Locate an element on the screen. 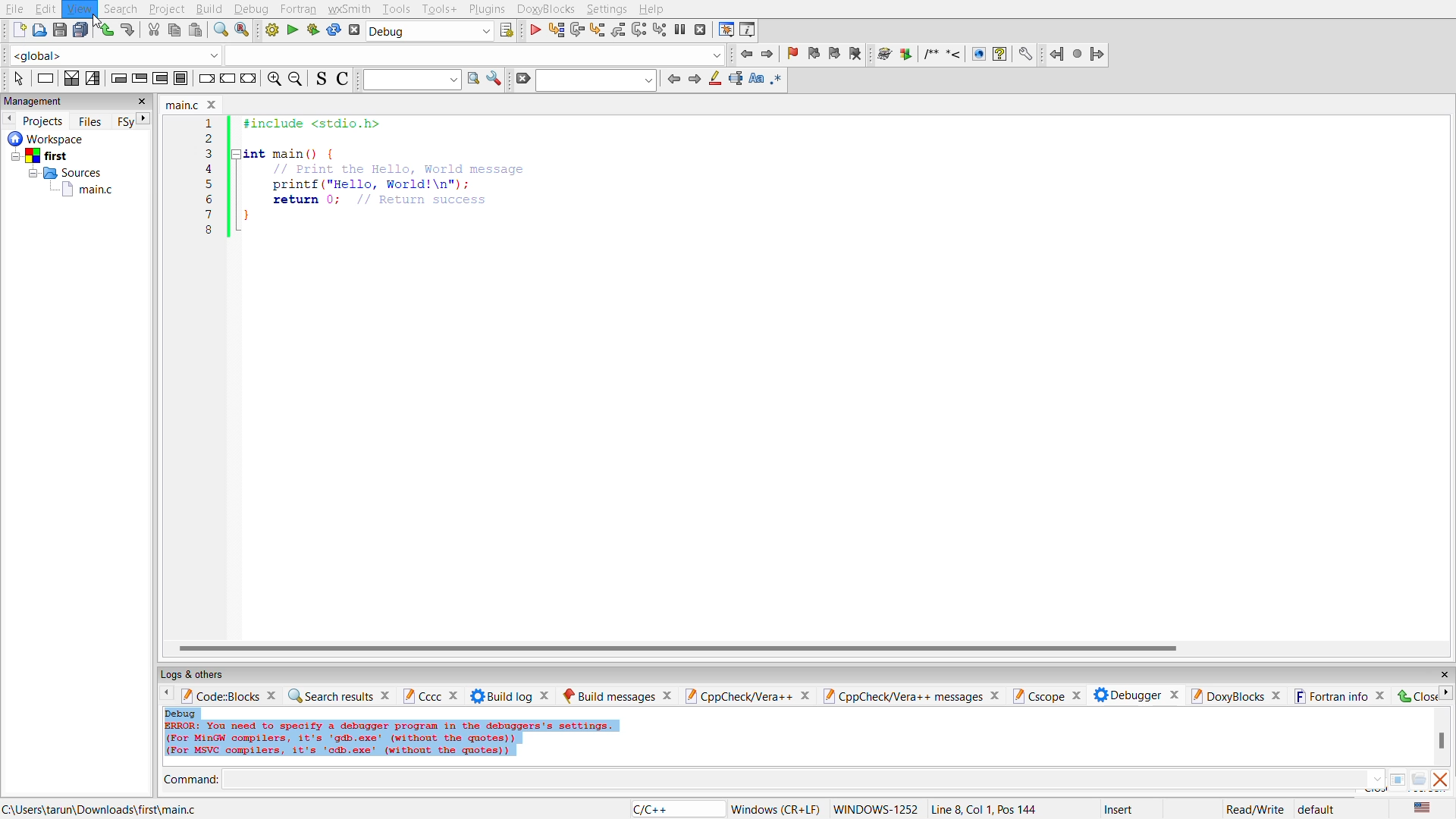 This screenshot has width=1456, height=819. text to search is located at coordinates (412, 79).